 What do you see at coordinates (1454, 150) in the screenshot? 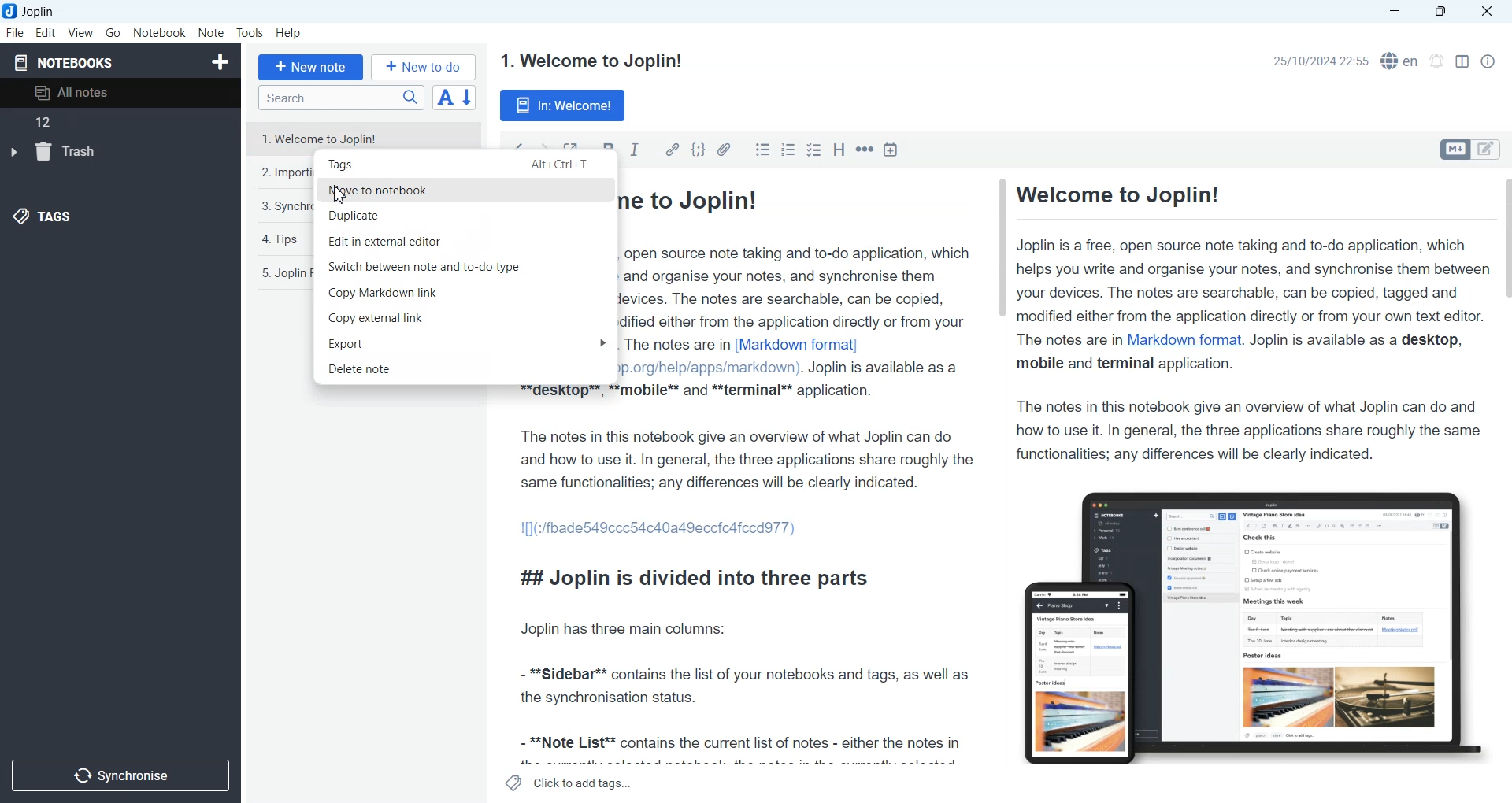
I see `Toggle editors` at bounding box center [1454, 150].